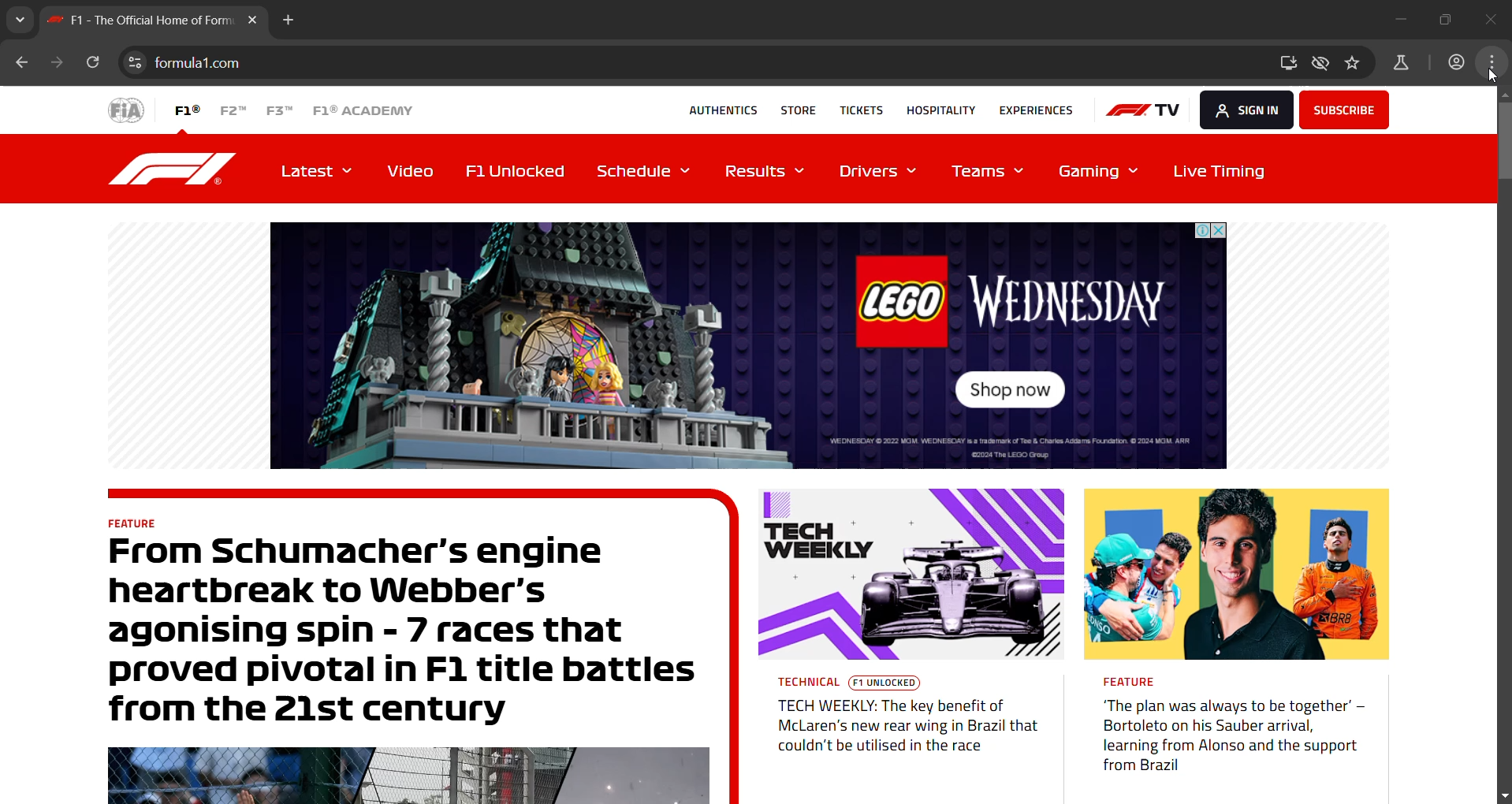 The width and height of the screenshot is (1512, 804). What do you see at coordinates (1402, 20) in the screenshot?
I see `minimize` at bounding box center [1402, 20].